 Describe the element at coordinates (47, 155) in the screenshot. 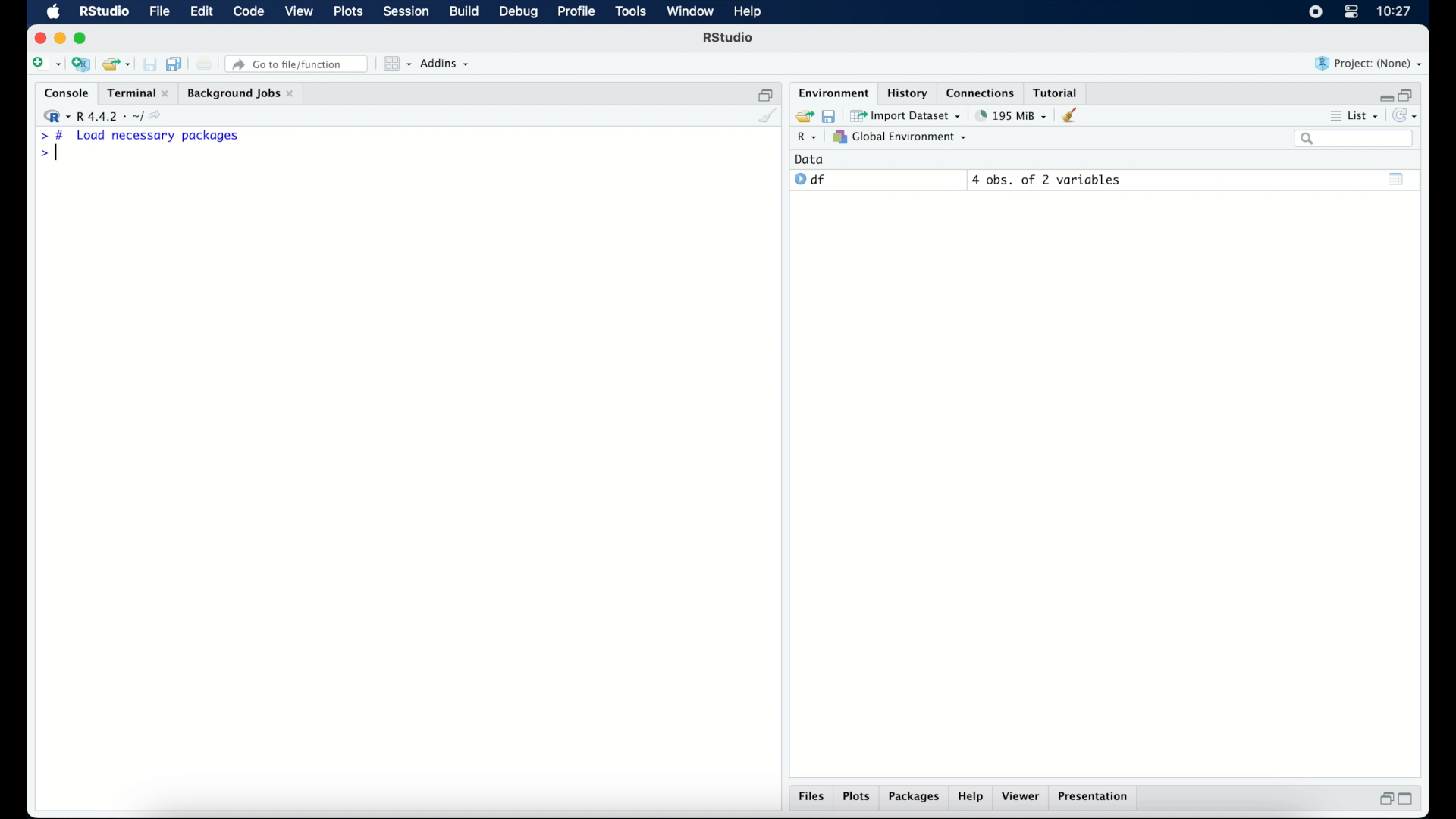

I see `command prompt` at that location.